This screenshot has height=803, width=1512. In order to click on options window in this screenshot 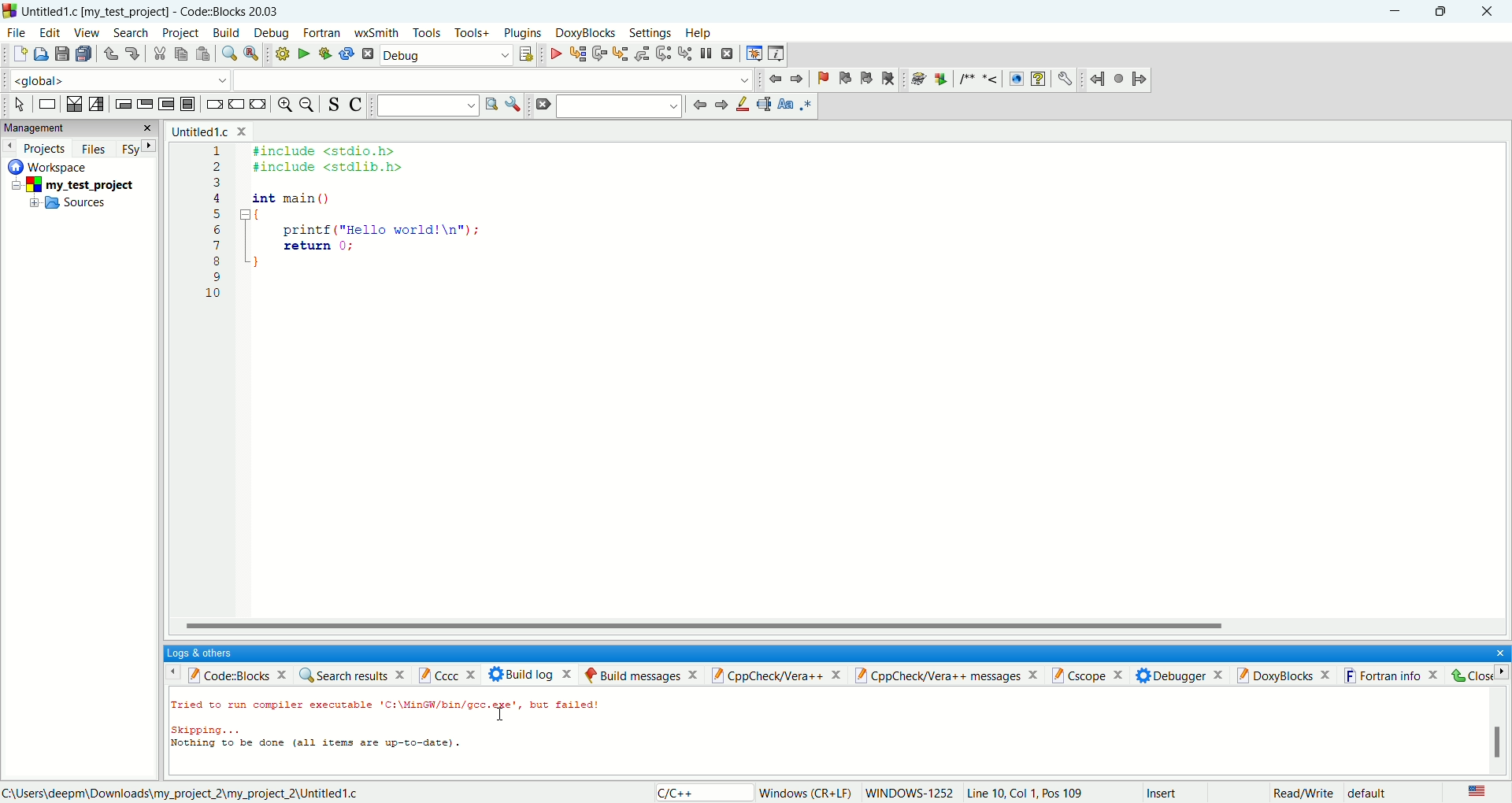, I will do `click(513, 105)`.